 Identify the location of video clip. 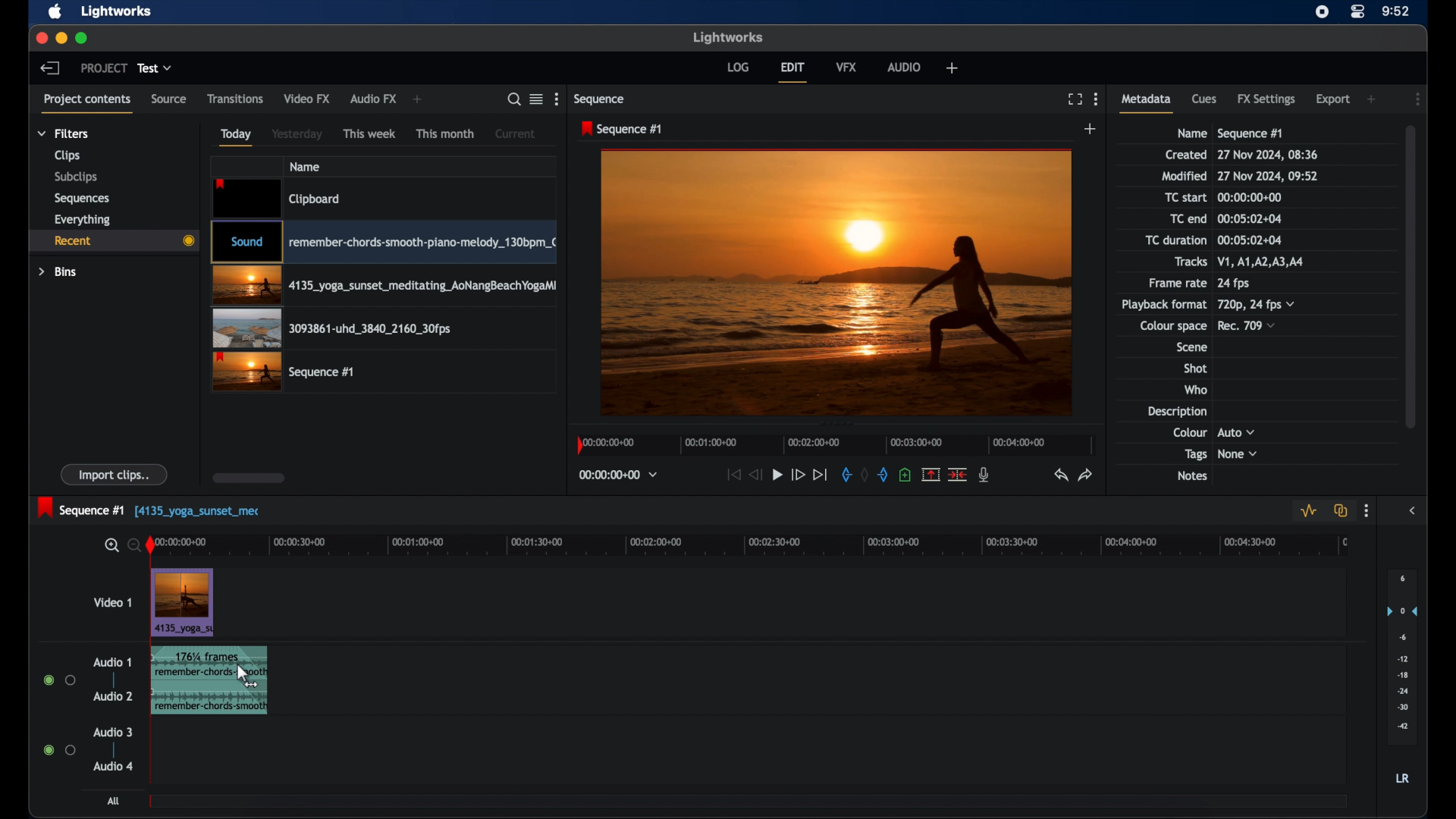
(384, 286).